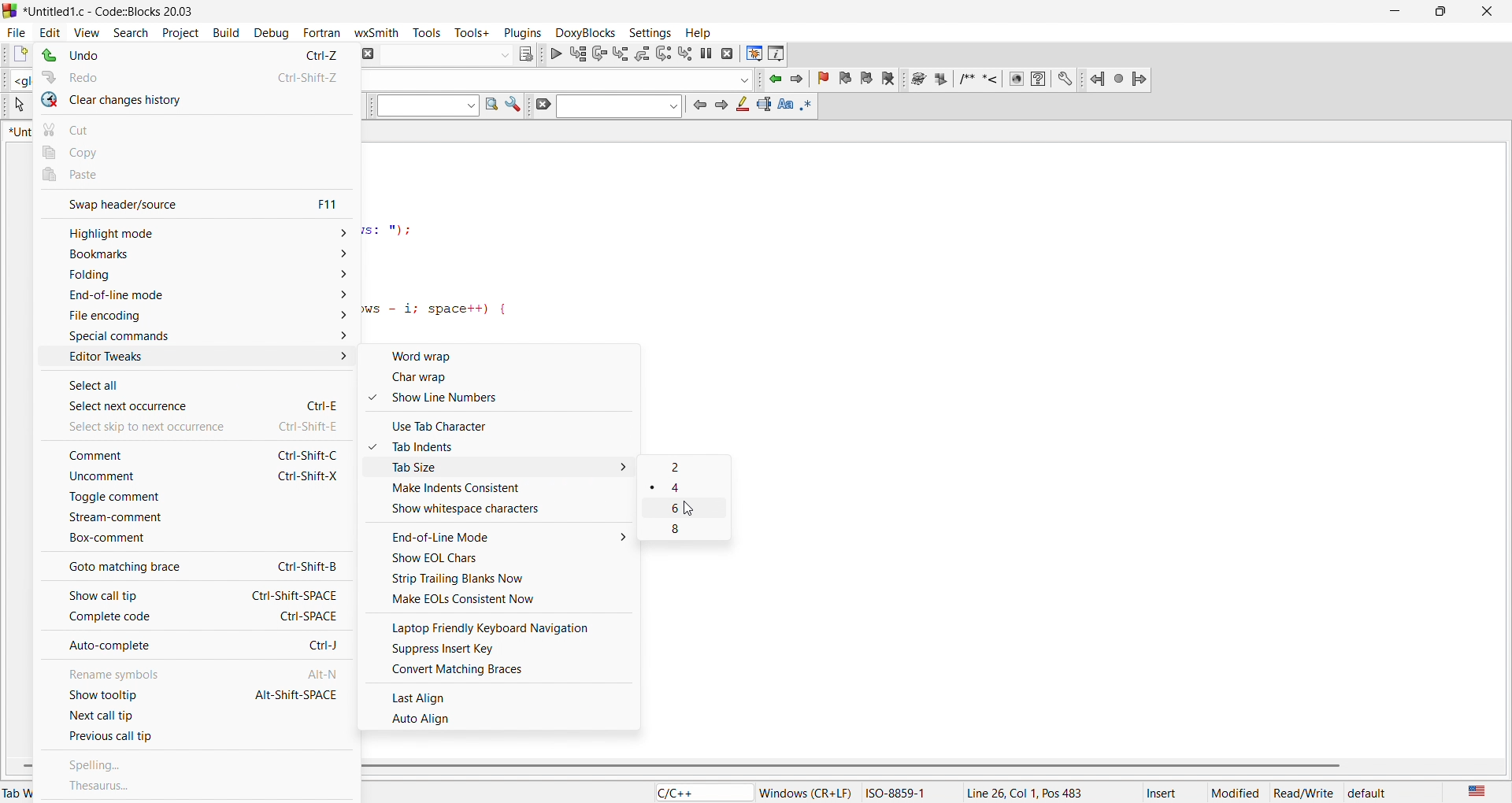 The height and width of the screenshot is (803, 1512). Describe the element at coordinates (813, 105) in the screenshot. I see `icon` at that location.